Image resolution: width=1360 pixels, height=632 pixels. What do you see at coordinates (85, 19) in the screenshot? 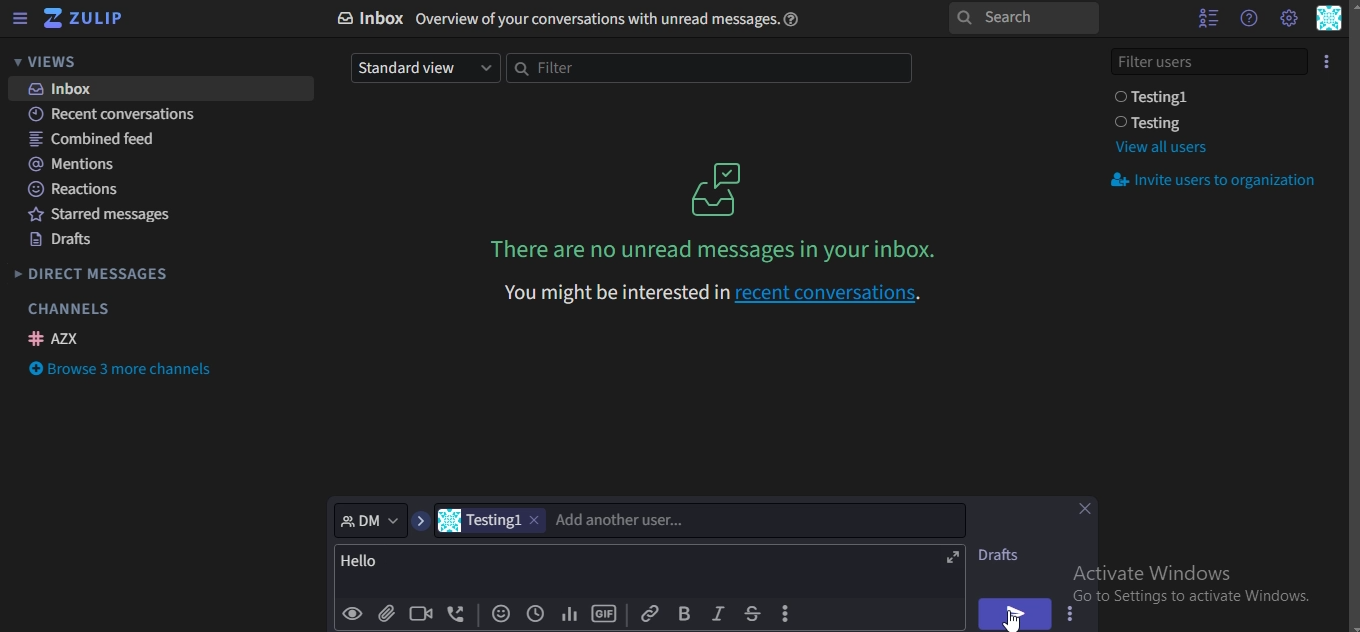
I see `icon` at bounding box center [85, 19].